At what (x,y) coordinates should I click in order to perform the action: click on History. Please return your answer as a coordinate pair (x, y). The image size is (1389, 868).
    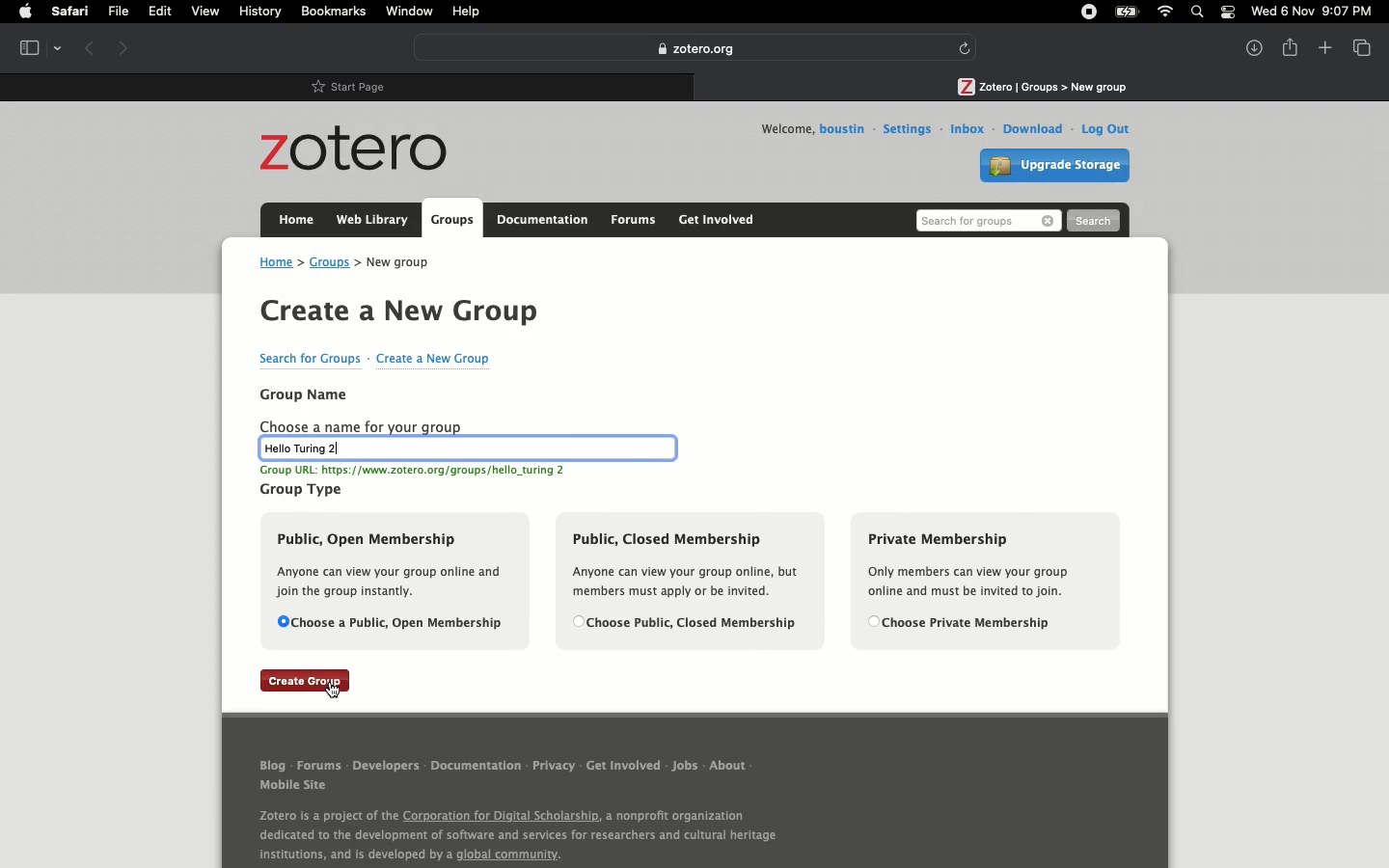
    Looking at the image, I should click on (259, 13).